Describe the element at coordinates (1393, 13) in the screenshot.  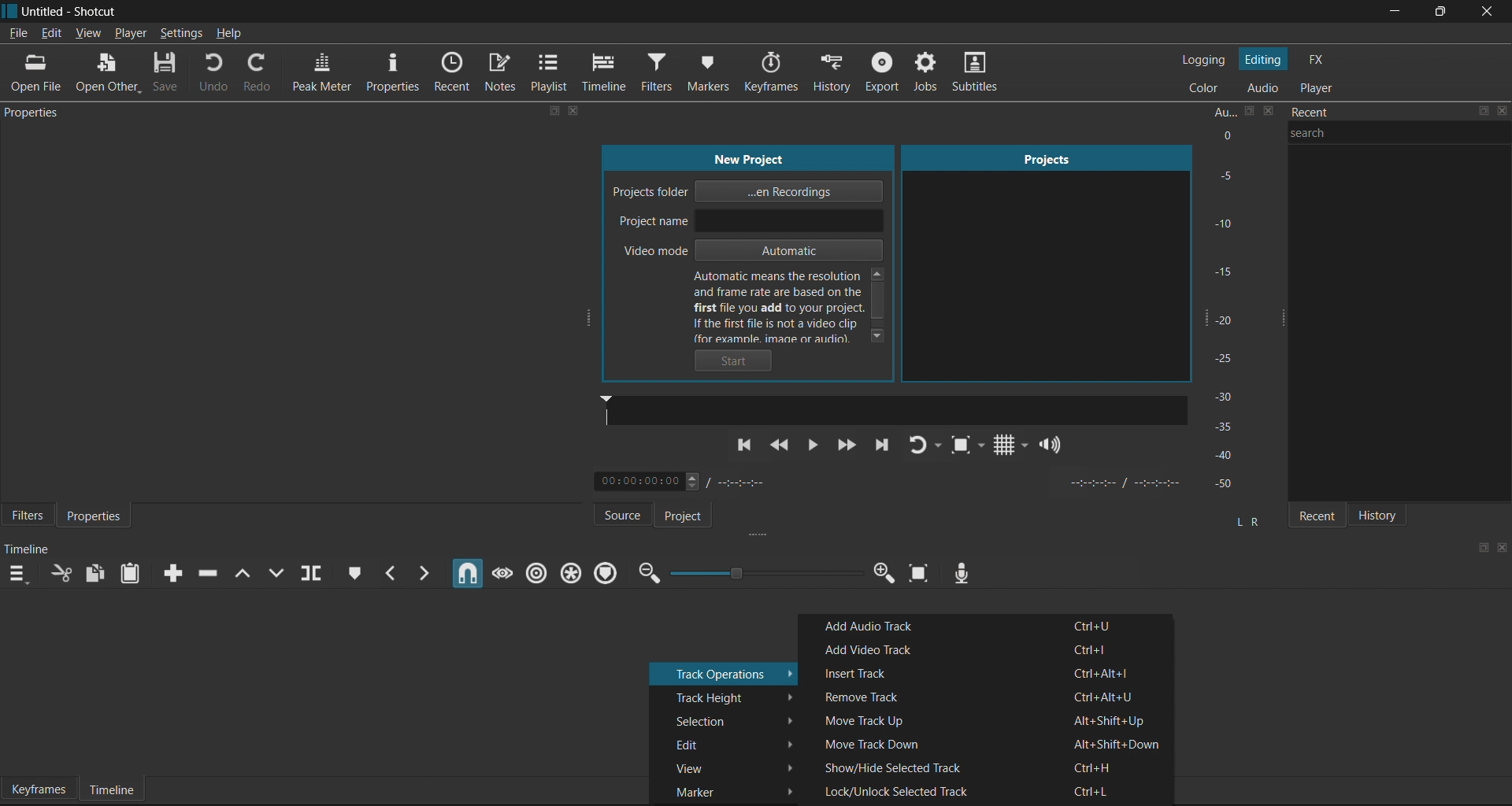
I see `minimize` at that location.